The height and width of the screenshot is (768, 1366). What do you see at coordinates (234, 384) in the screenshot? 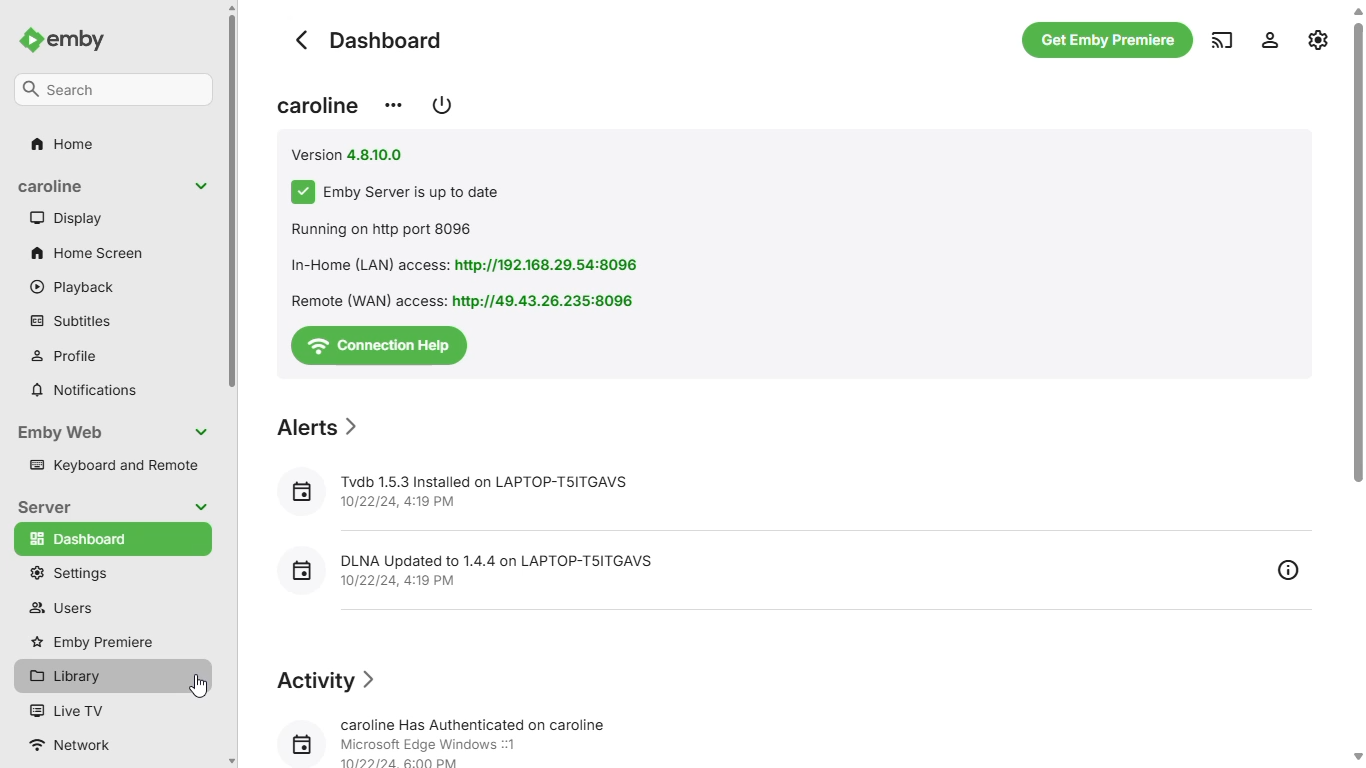
I see `vertical scroll bar` at bounding box center [234, 384].